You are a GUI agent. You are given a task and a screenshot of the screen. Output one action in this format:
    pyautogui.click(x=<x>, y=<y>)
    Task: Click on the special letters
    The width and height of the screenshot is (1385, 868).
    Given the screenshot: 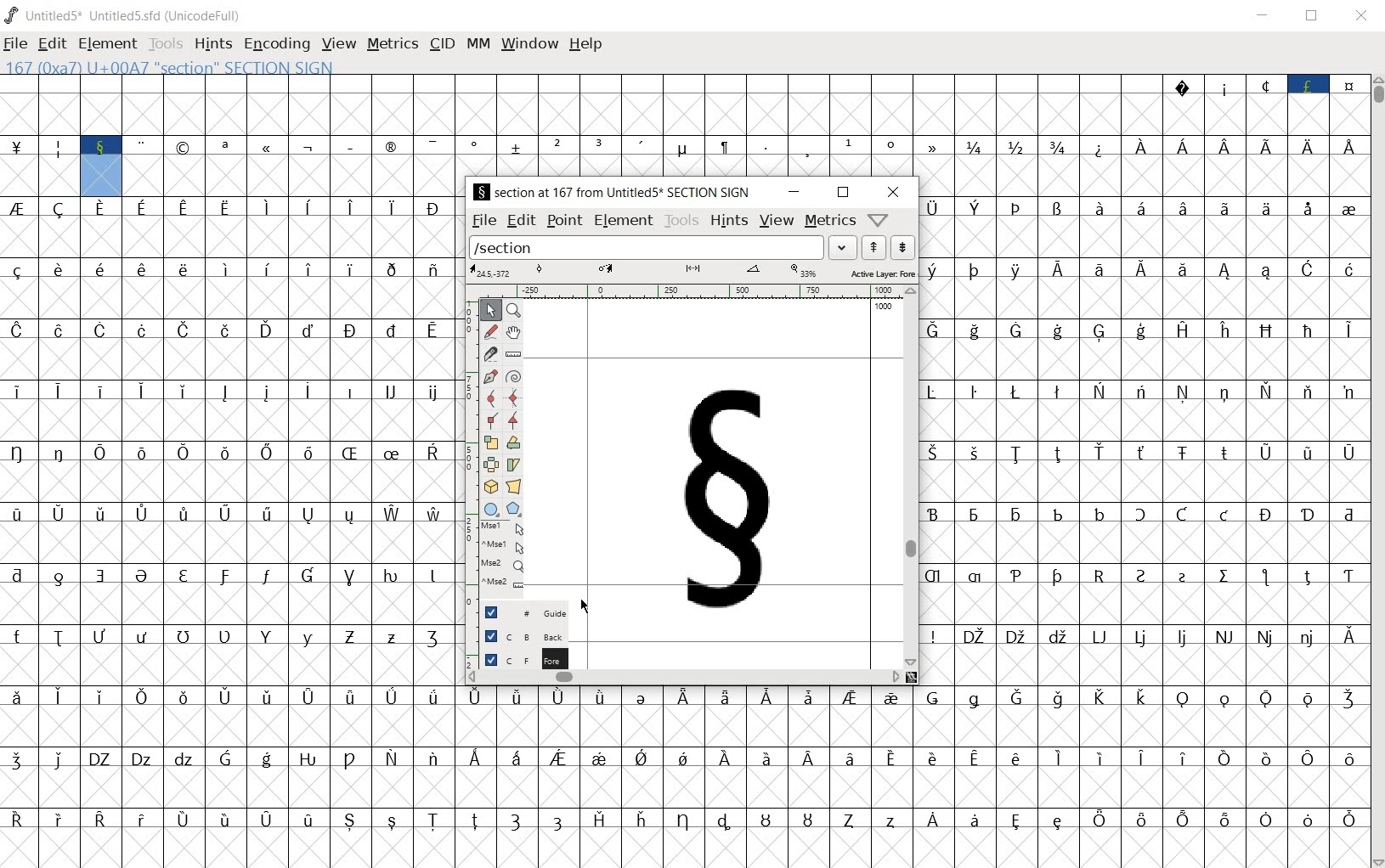 What is the action you would take?
    pyautogui.click(x=233, y=637)
    